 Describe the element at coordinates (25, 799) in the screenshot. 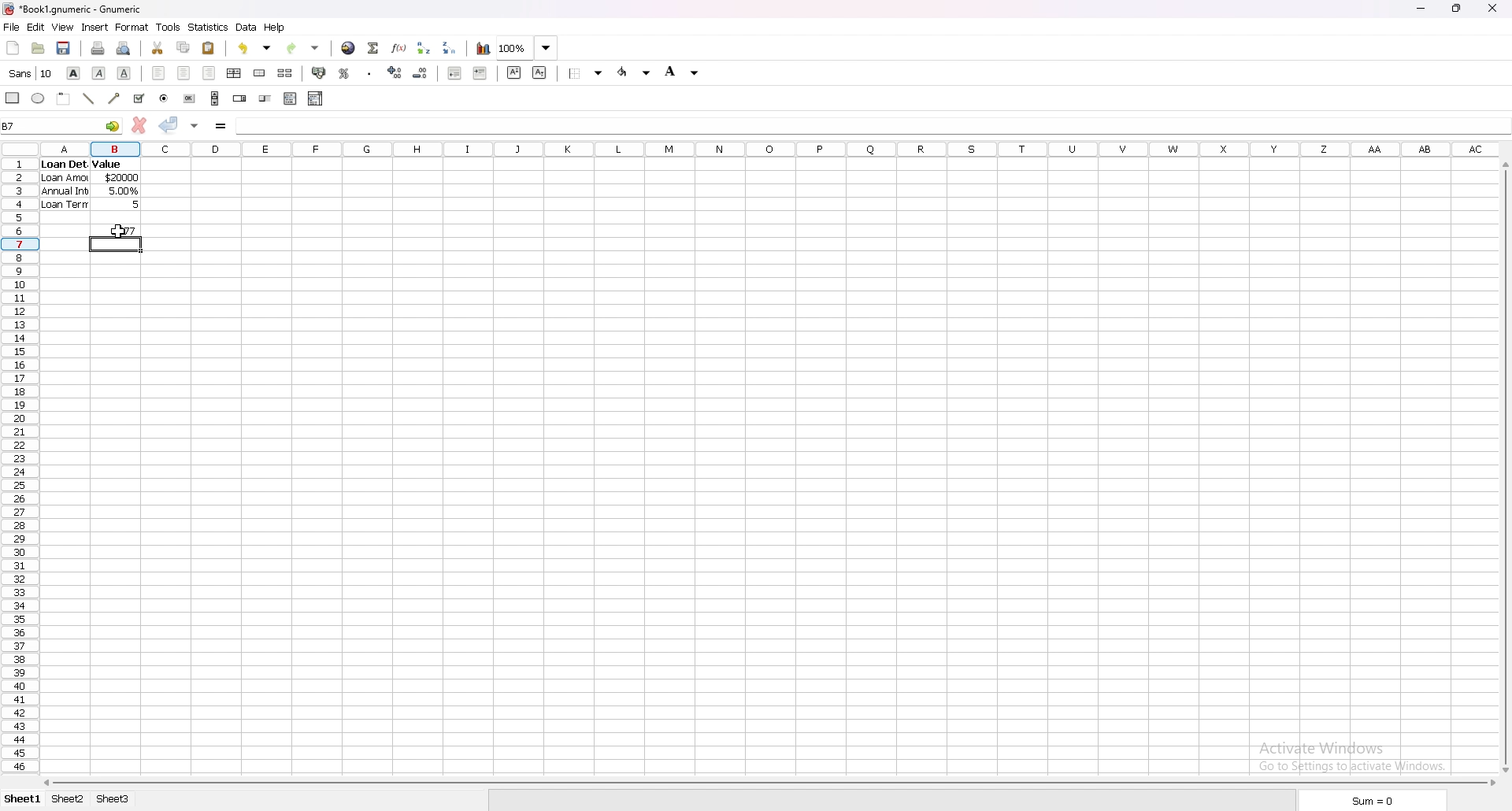

I see `sheet` at that location.